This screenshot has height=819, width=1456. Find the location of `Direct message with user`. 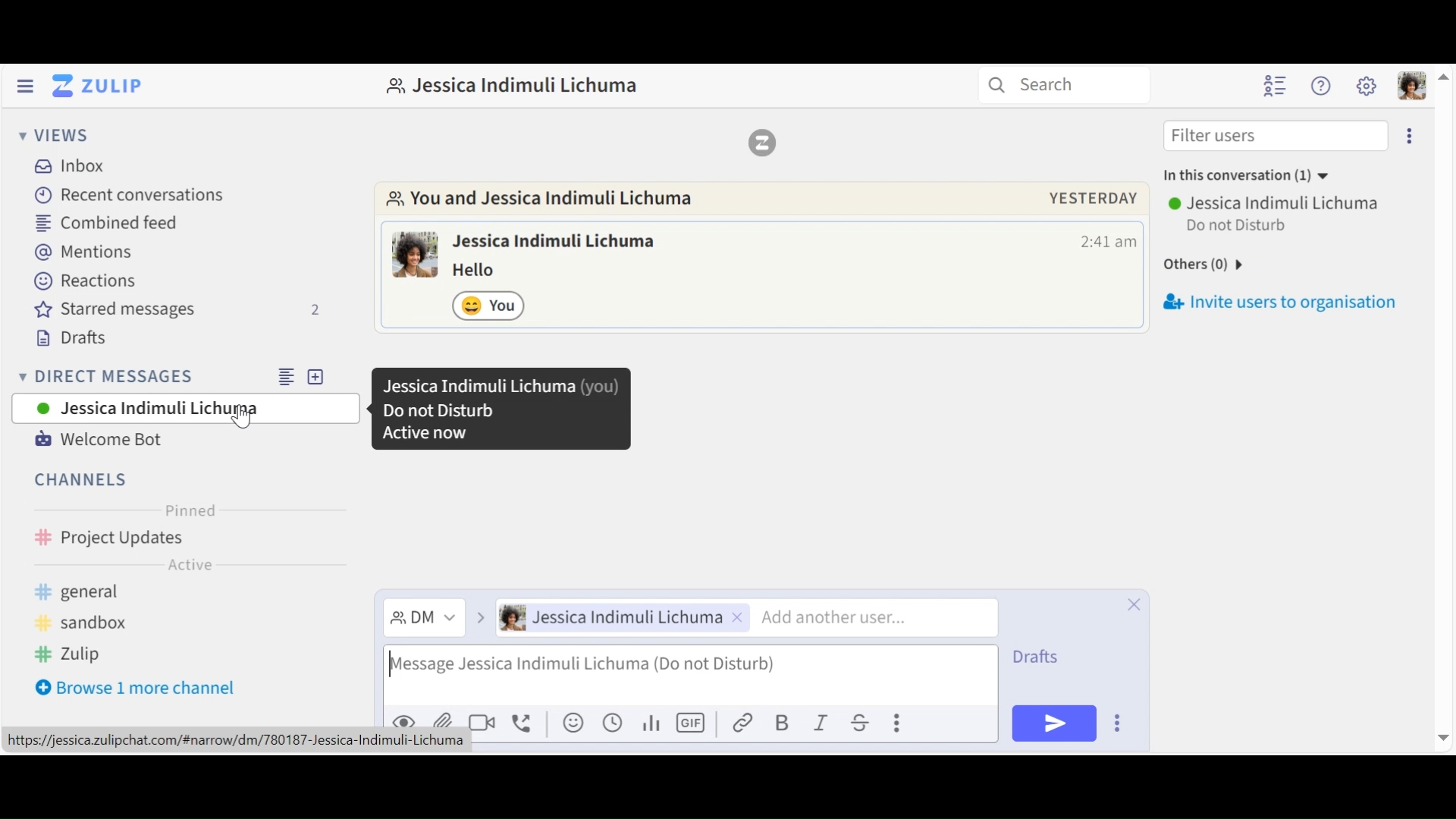

Direct message with user is located at coordinates (521, 86).